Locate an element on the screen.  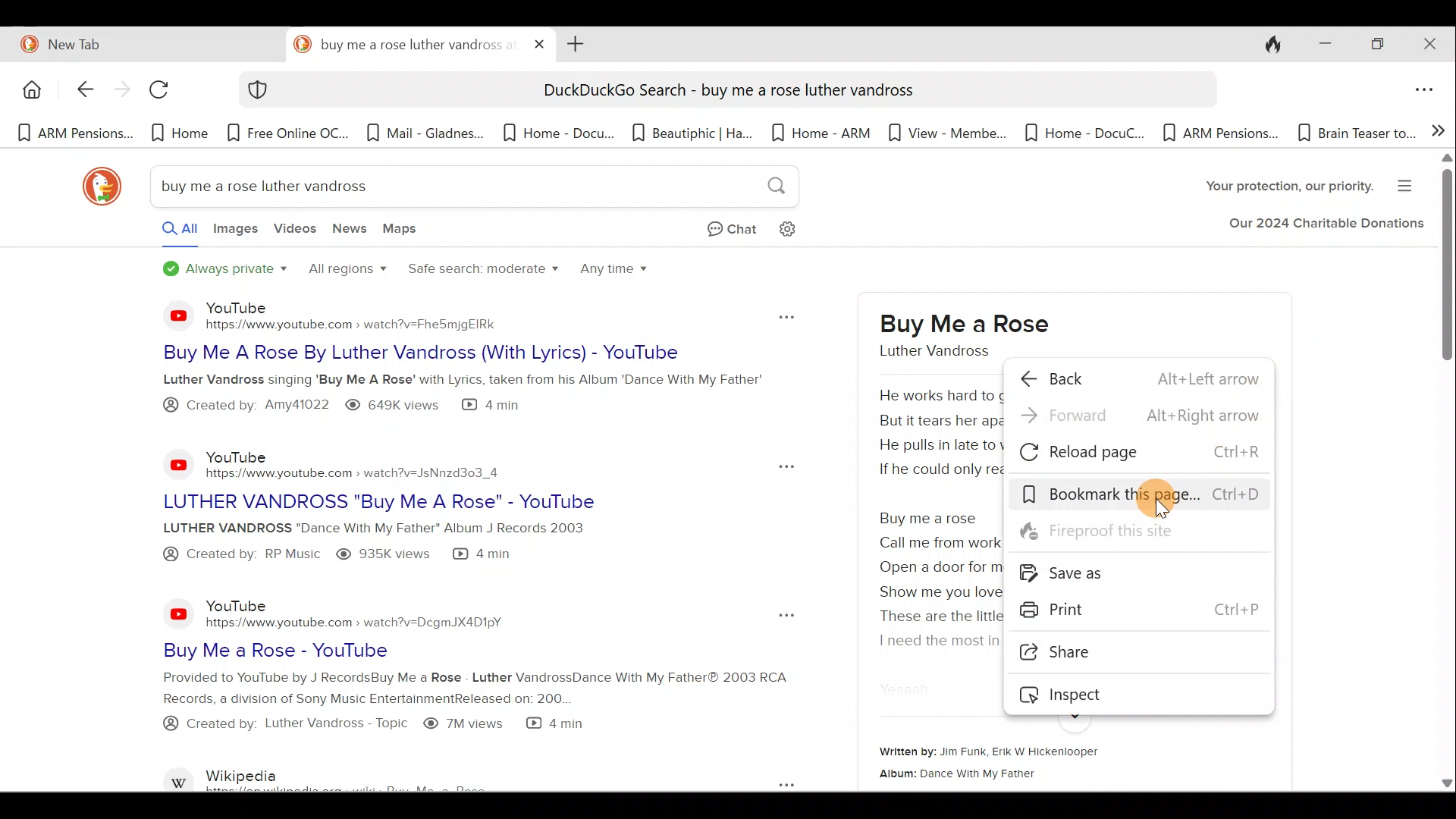
YouTube - https://www.youtube.com » watch?v=Fhe5mjgEIRk is located at coordinates (373, 315).